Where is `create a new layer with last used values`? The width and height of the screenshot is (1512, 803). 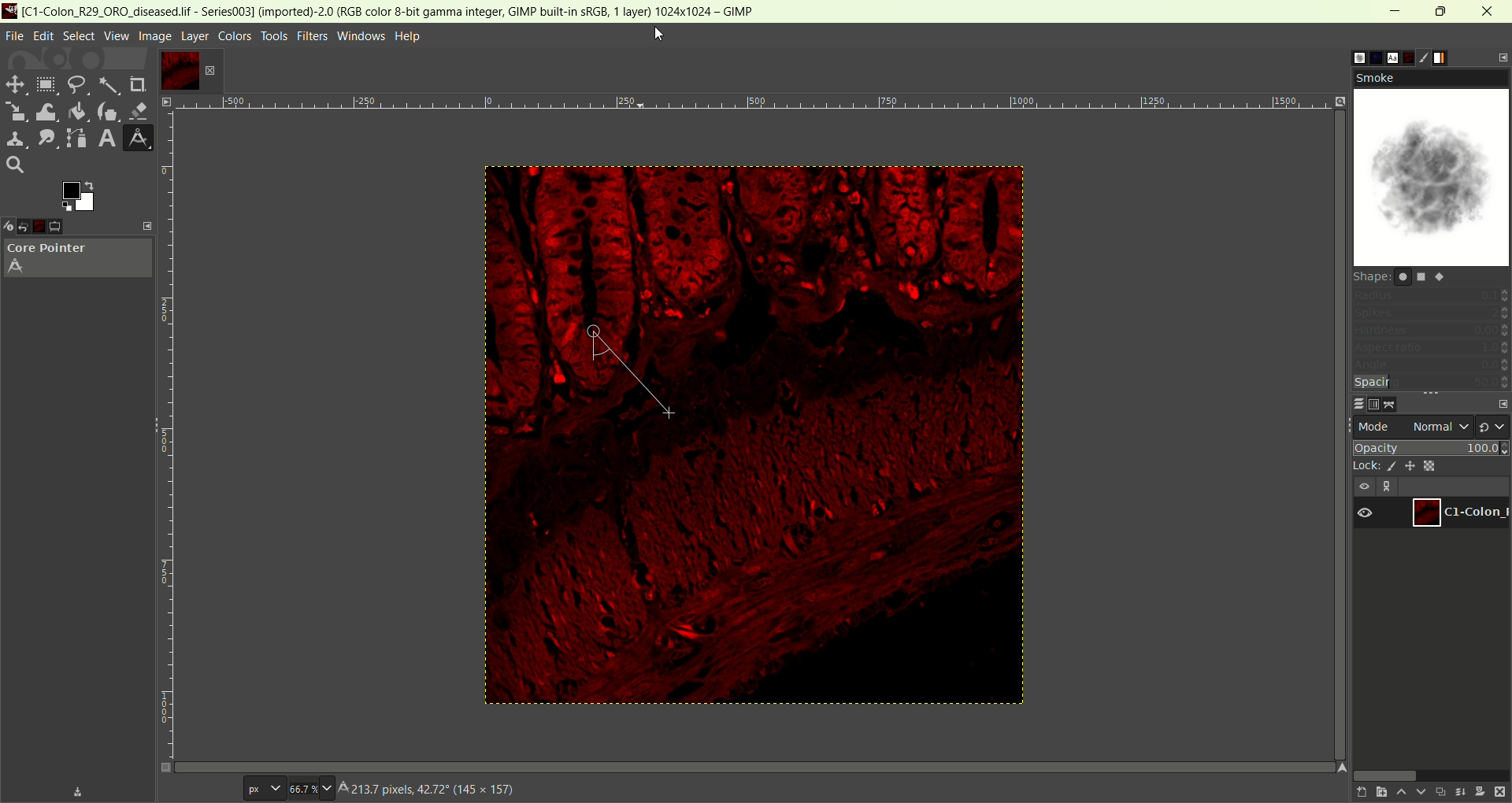 create a new layer with last used values is located at coordinates (1355, 793).